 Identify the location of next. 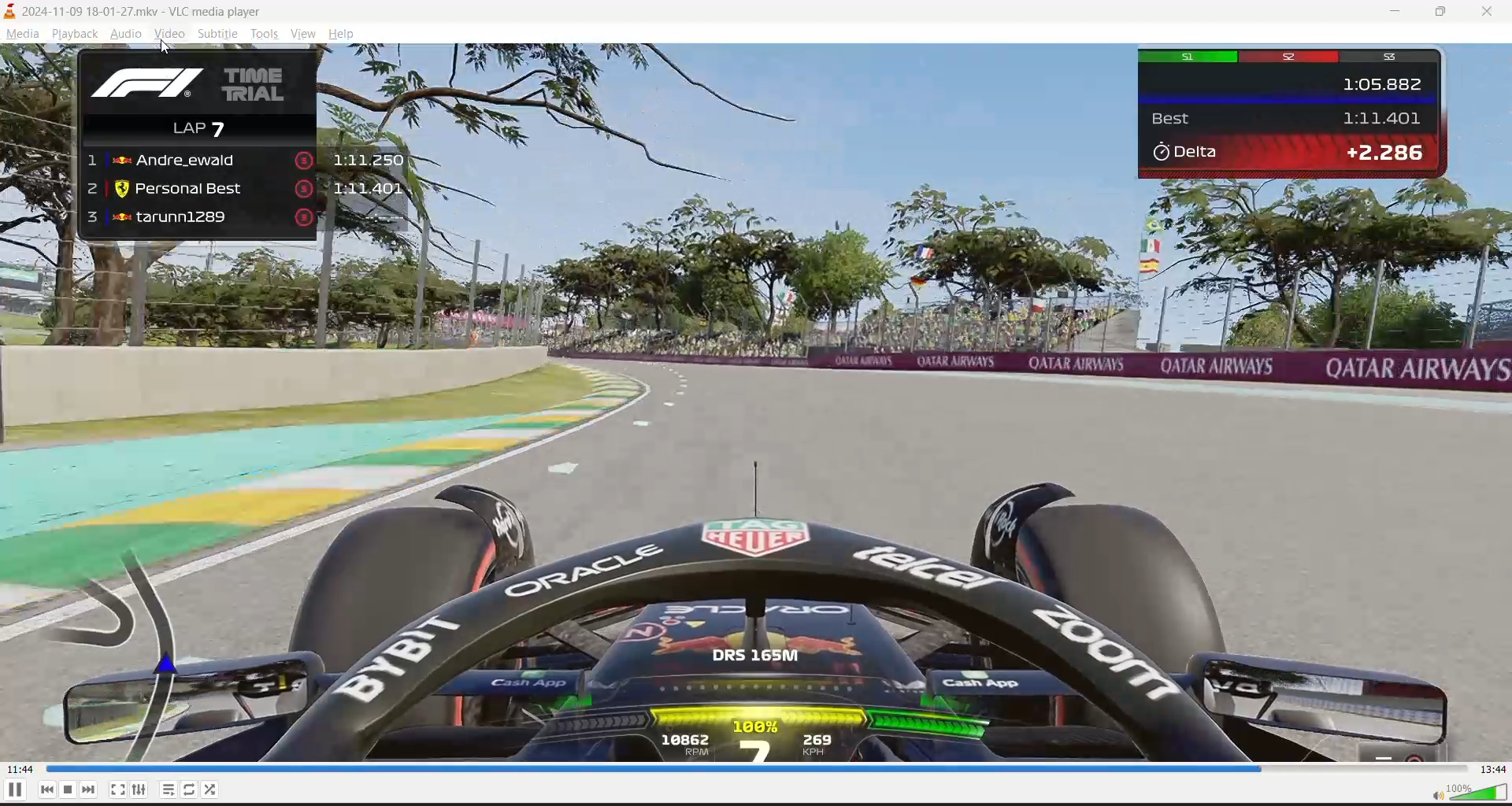
(89, 787).